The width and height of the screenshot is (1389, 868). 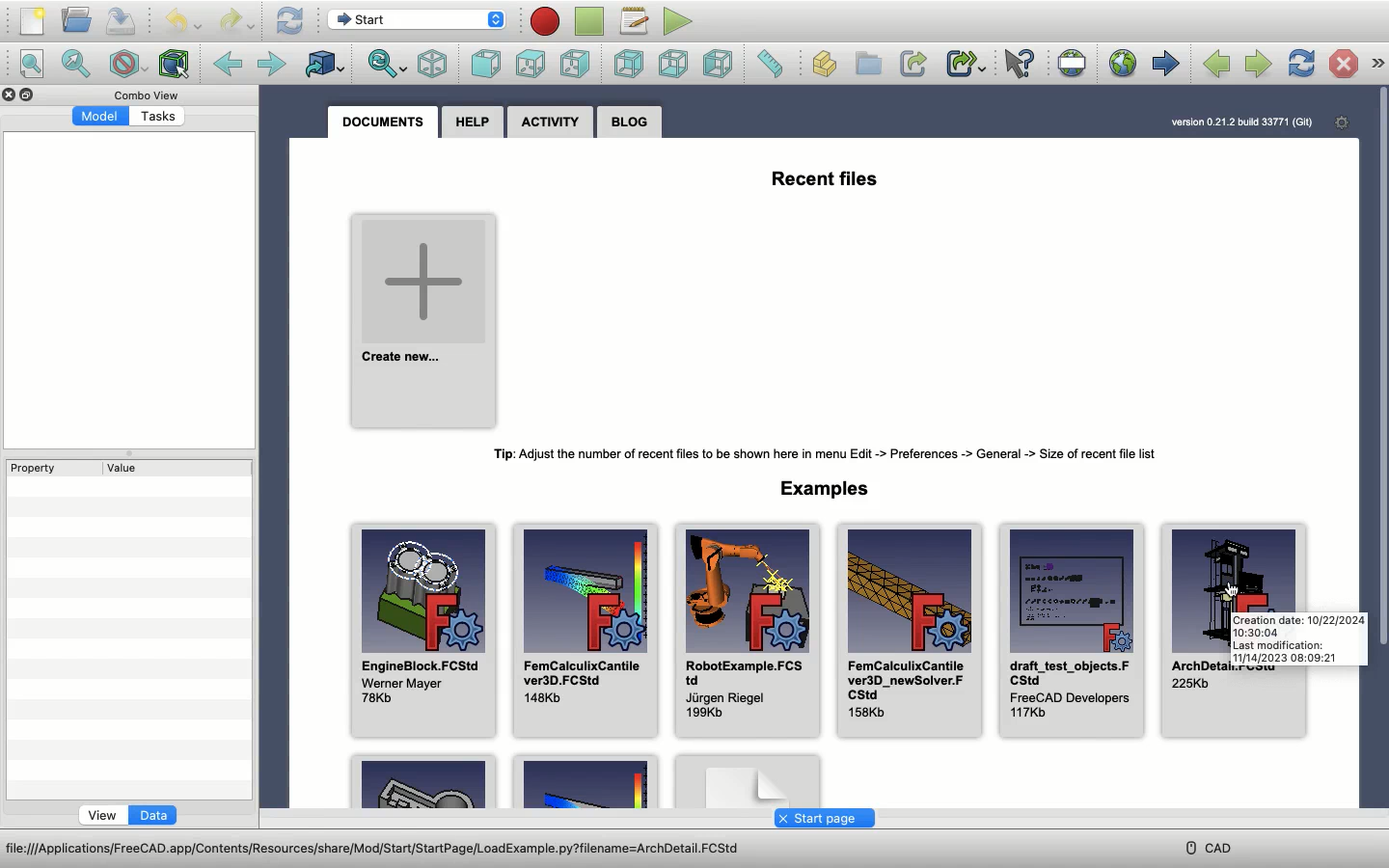 What do you see at coordinates (422, 782) in the screenshot?
I see `Example` at bounding box center [422, 782].